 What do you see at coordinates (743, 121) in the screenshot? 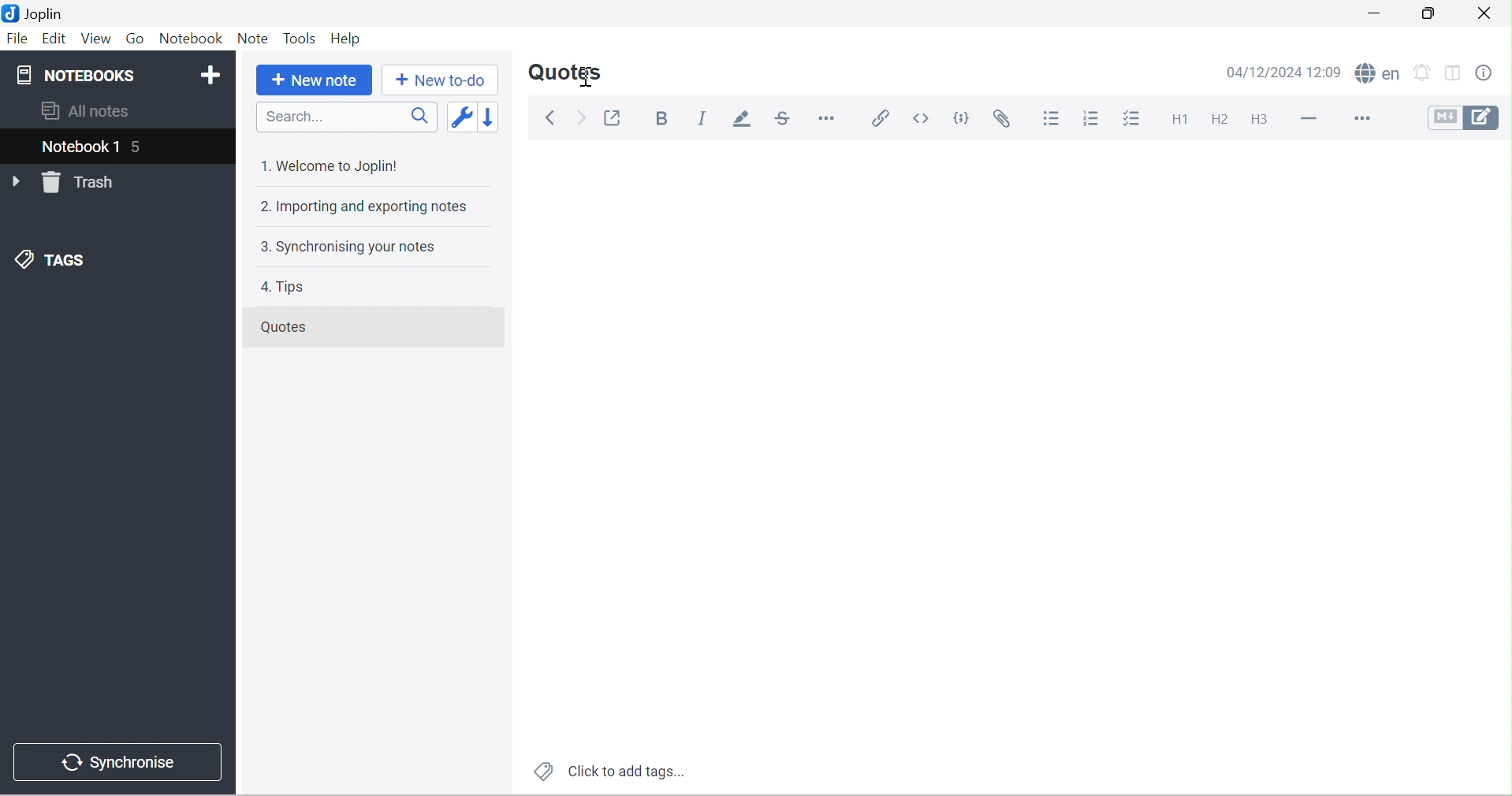
I see `Highlight` at bounding box center [743, 121].